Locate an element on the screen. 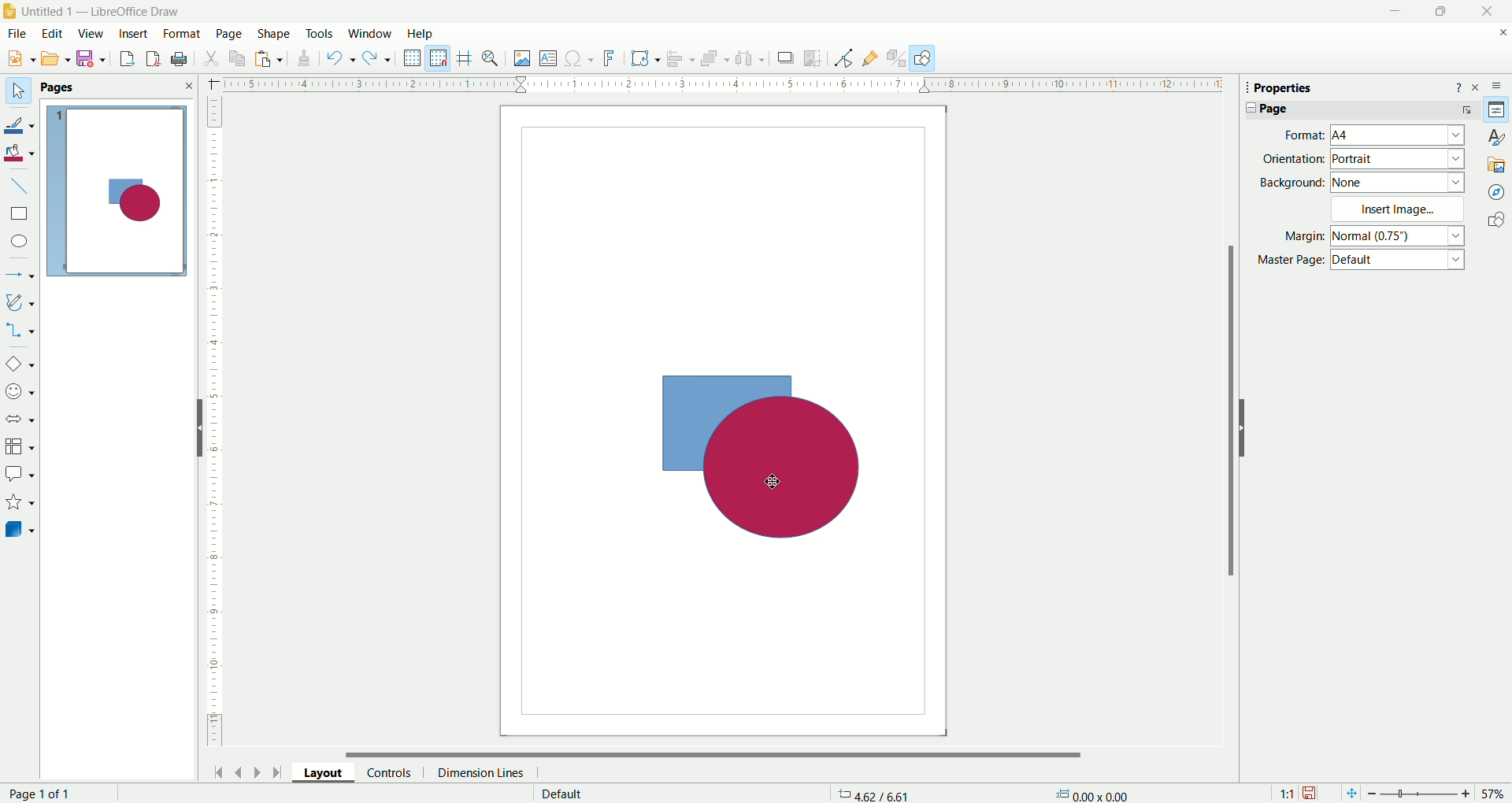  edit is located at coordinates (54, 33).